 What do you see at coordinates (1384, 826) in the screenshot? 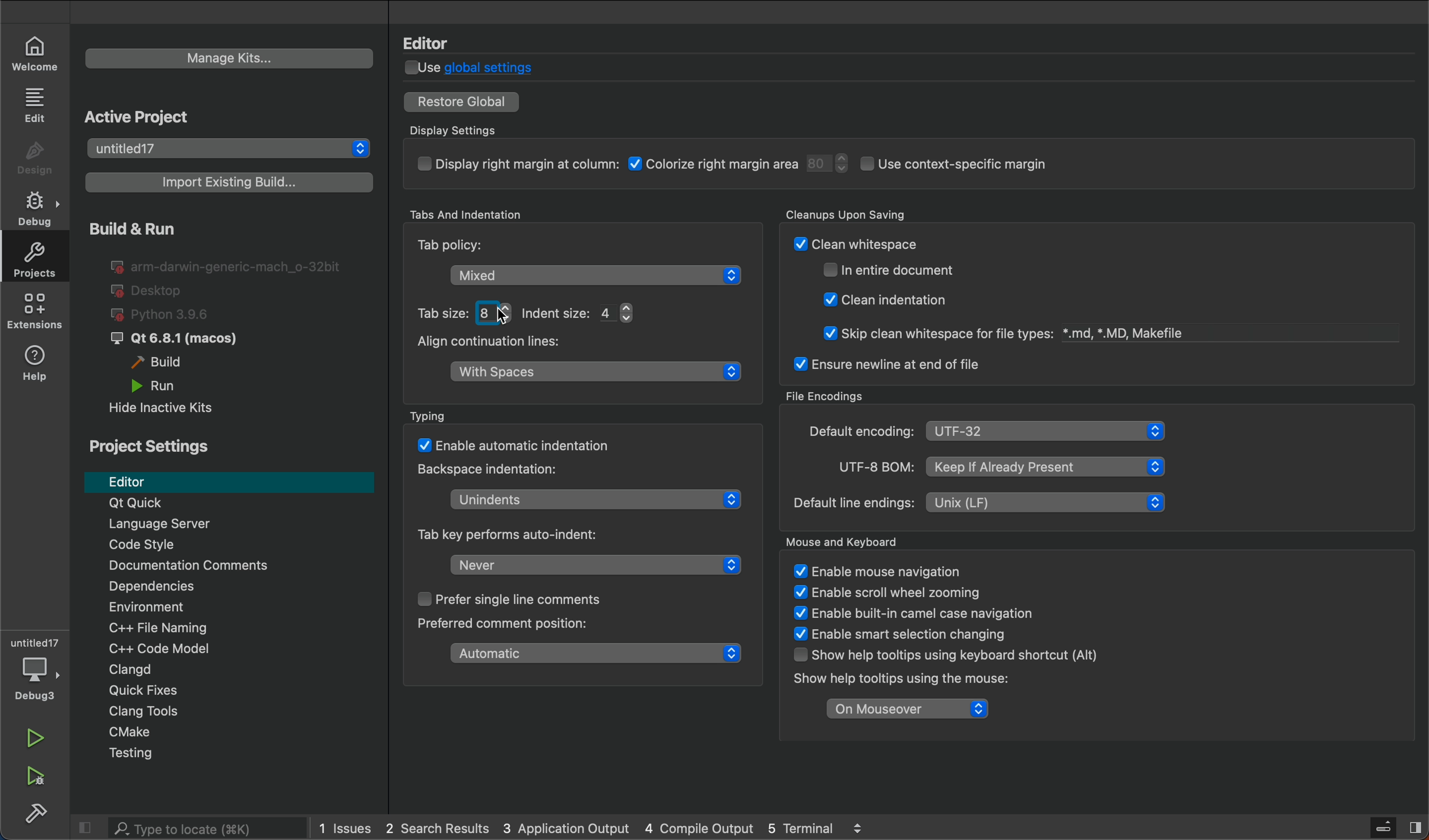
I see `Server` at bounding box center [1384, 826].